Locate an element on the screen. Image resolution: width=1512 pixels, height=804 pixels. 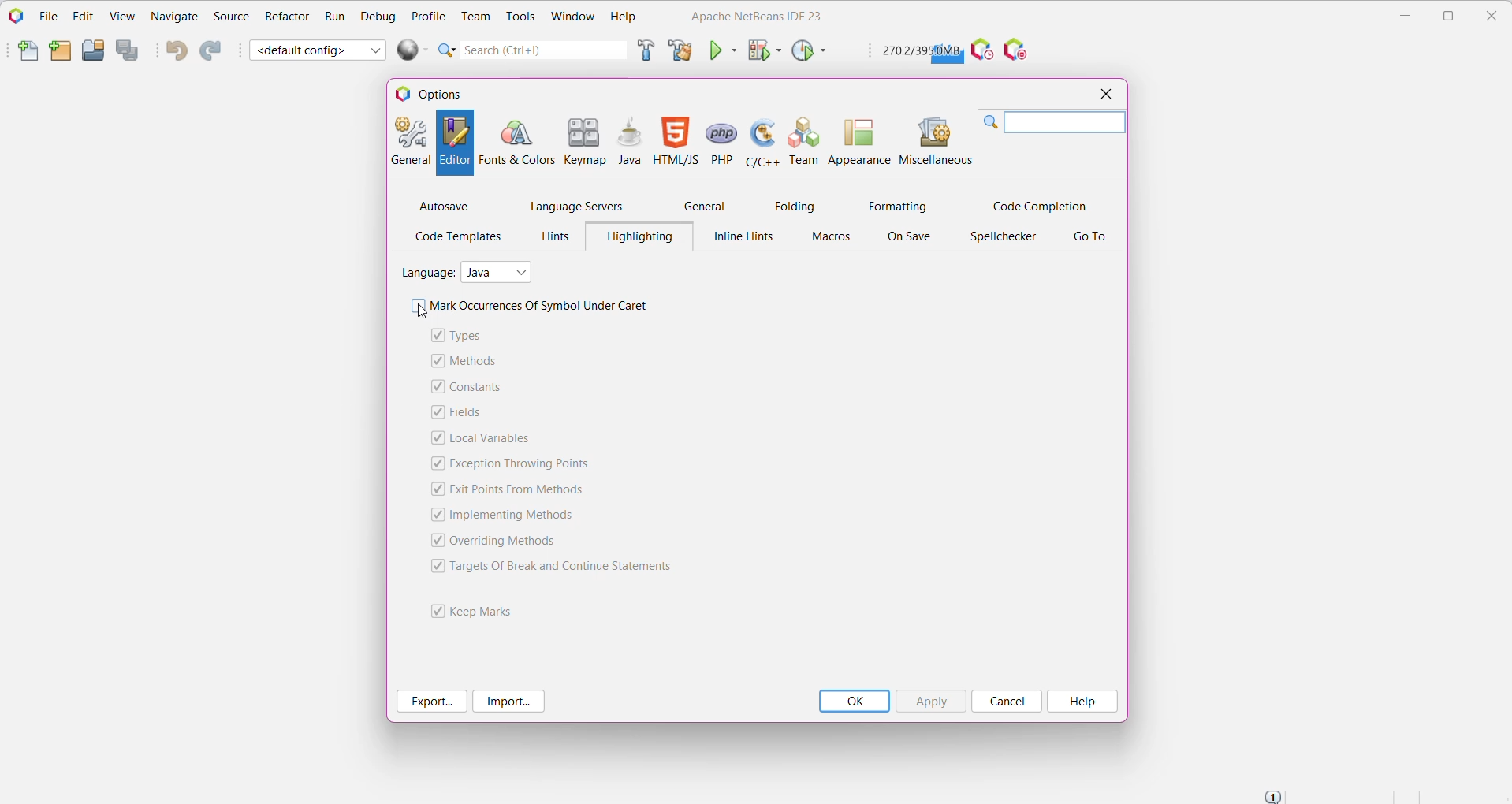
Quick Search Bar is located at coordinates (531, 50).